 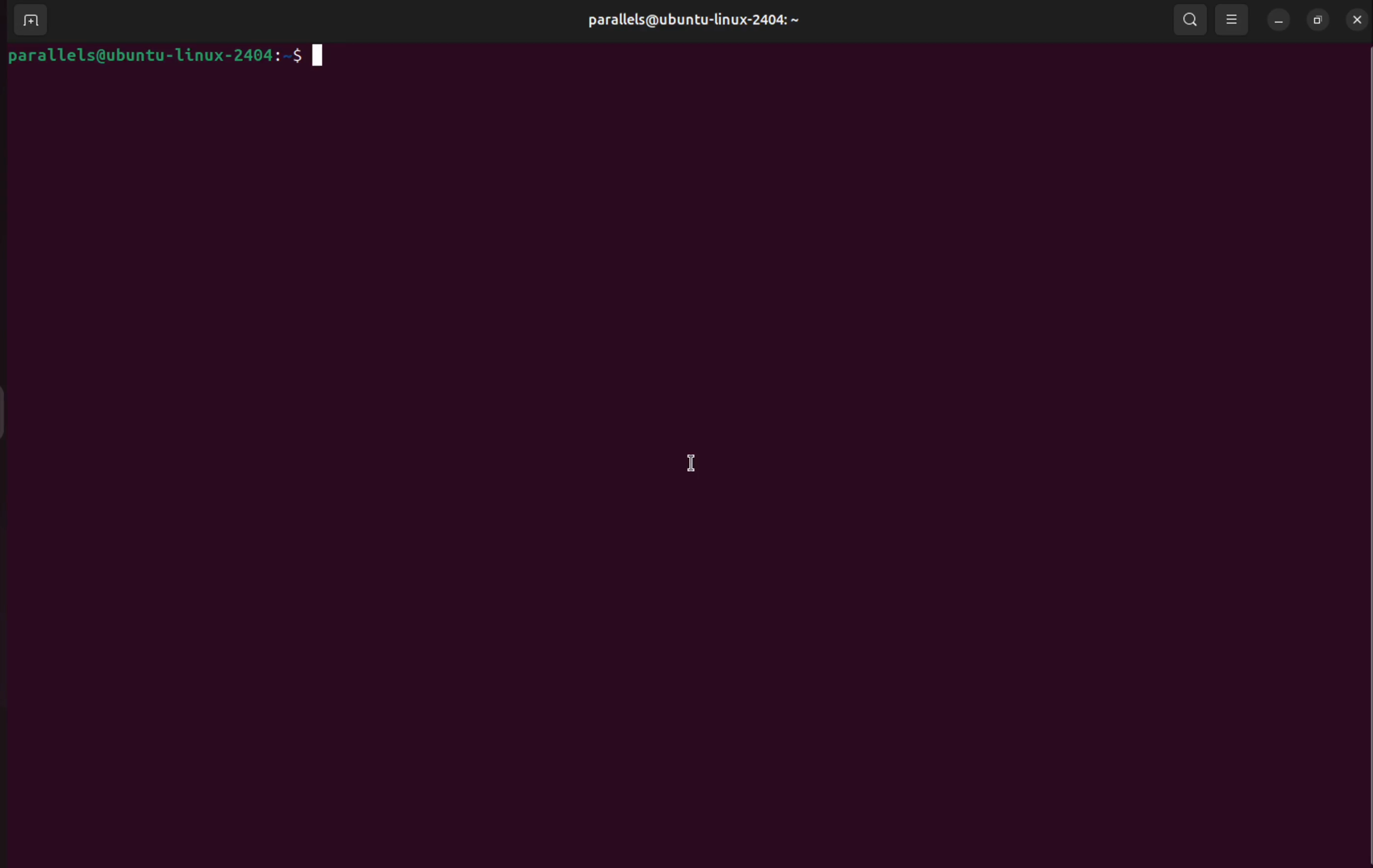 What do you see at coordinates (690, 462) in the screenshot?
I see `cursor` at bounding box center [690, 462].